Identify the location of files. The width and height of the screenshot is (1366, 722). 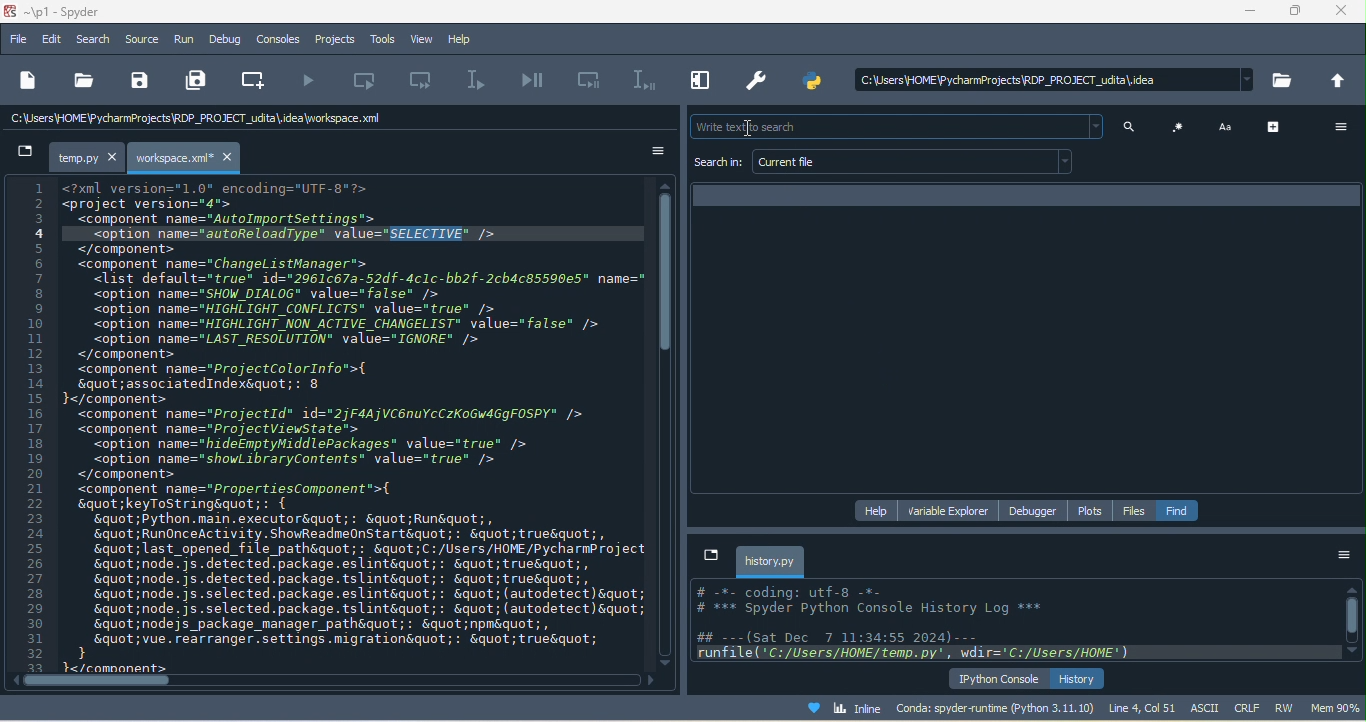
(1135, 511).